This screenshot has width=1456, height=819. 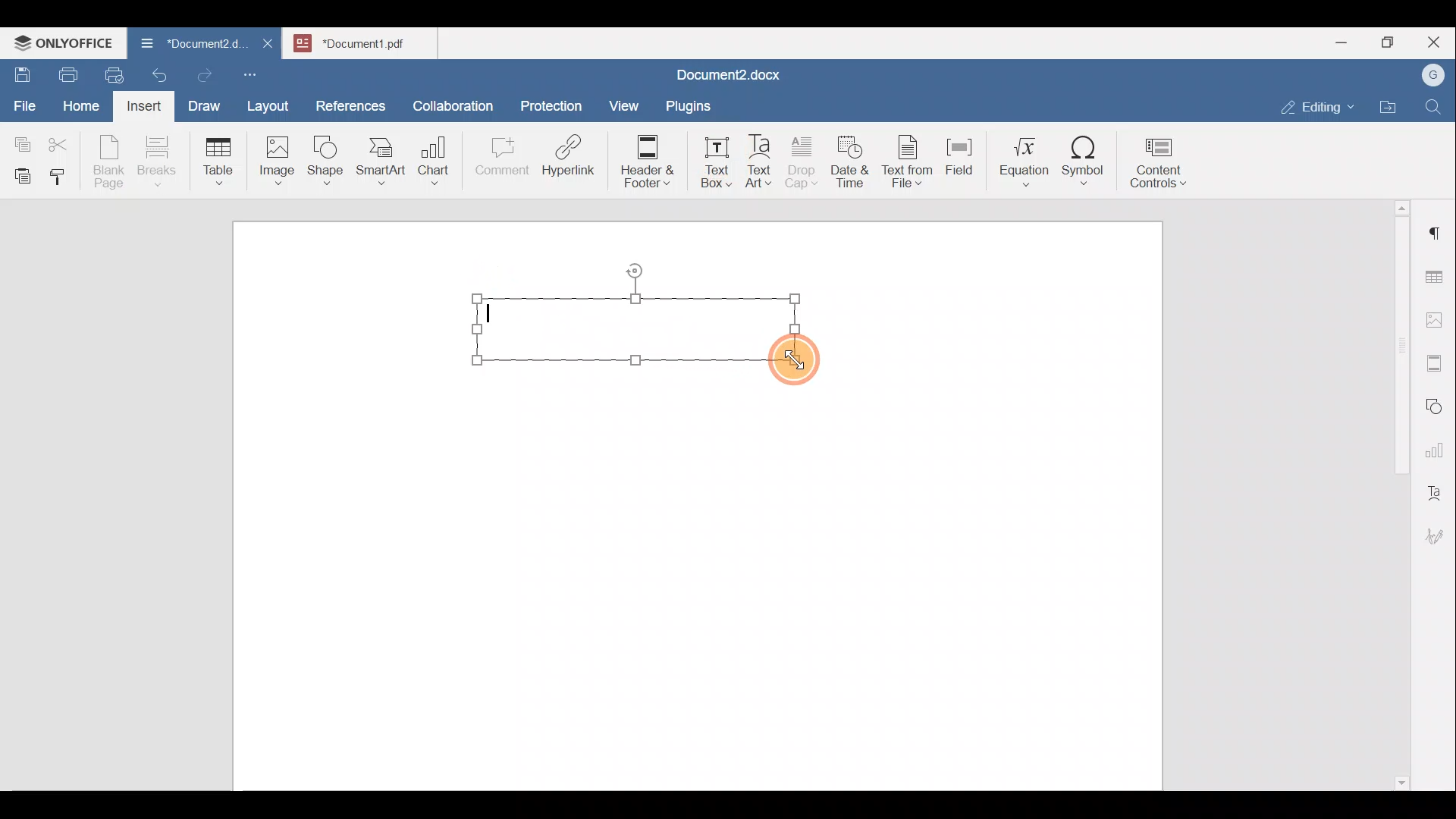 What do you see at coordinates (256, 72) in the screenshot?
I see `Customize quick access toolbar` at bounding box center [256, 72].